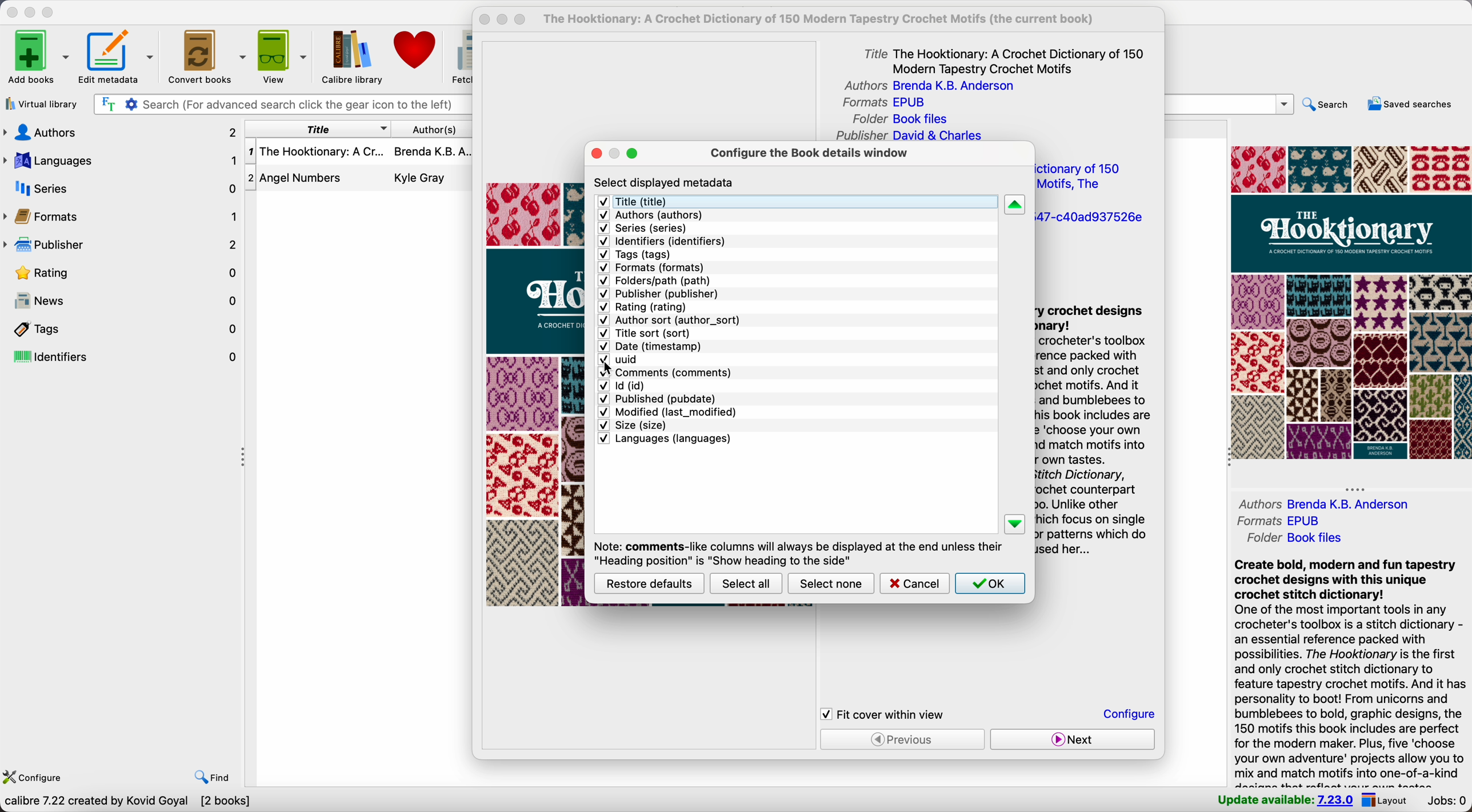 The width and height of the screenshot is (1472, 812). Describe the element at coordinates (38, 58) in the screenshot. I see `add books` at that location.